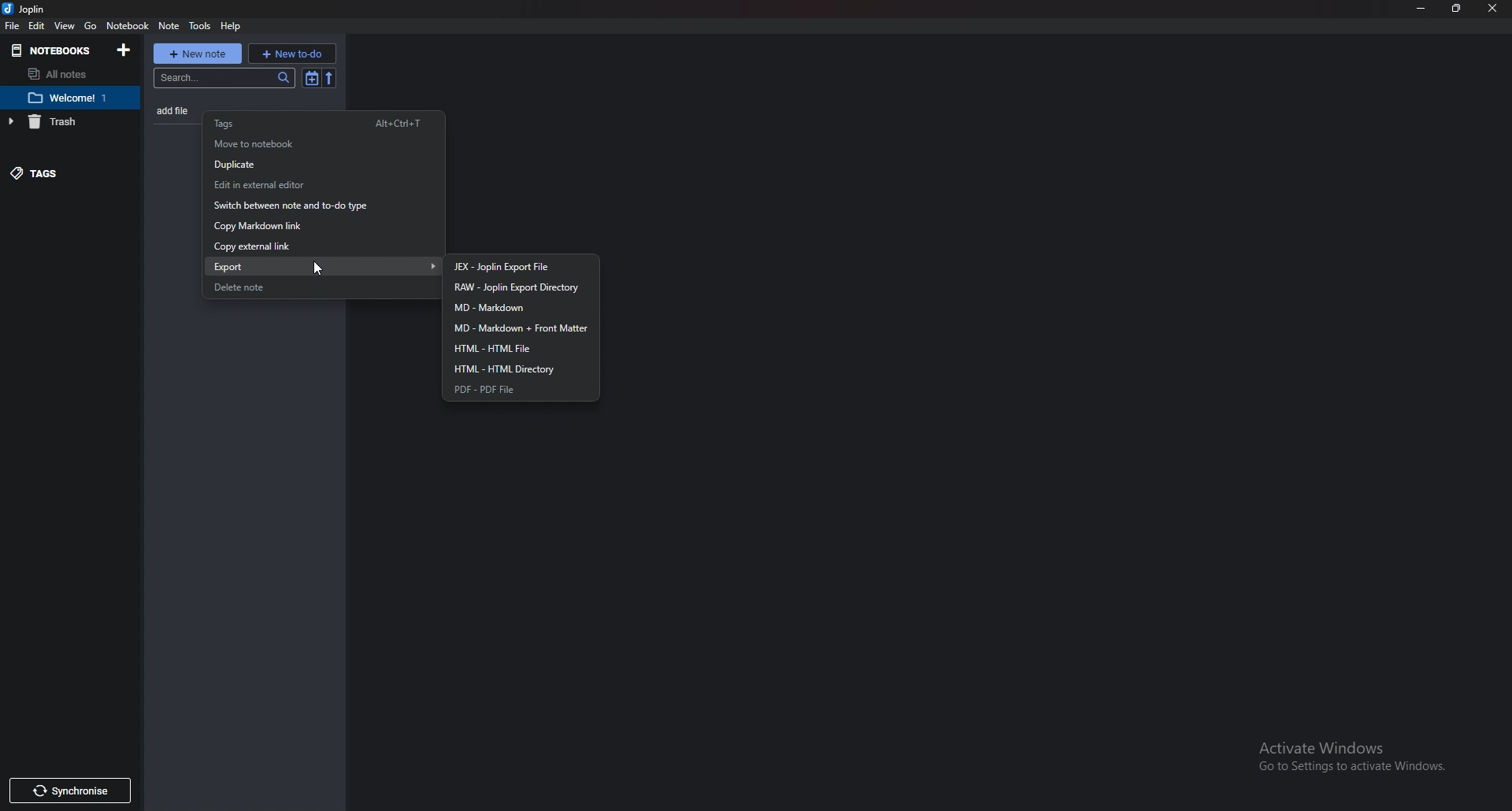 The width and height of the screenshot is (1512, 811). Describe the element at coordinates (232, 27) in the screenshot. I see `help` at that location.